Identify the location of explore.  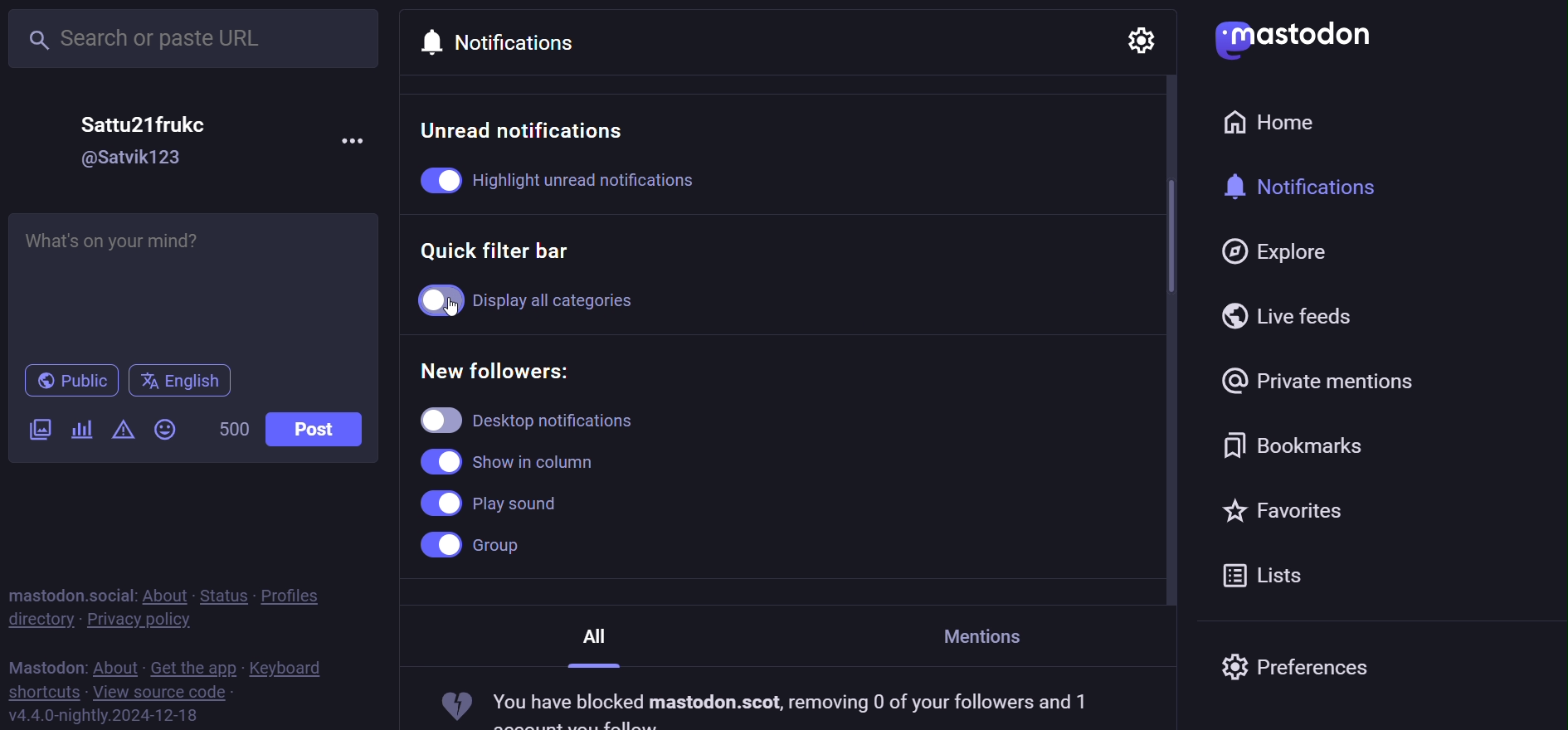
(1278, 252).